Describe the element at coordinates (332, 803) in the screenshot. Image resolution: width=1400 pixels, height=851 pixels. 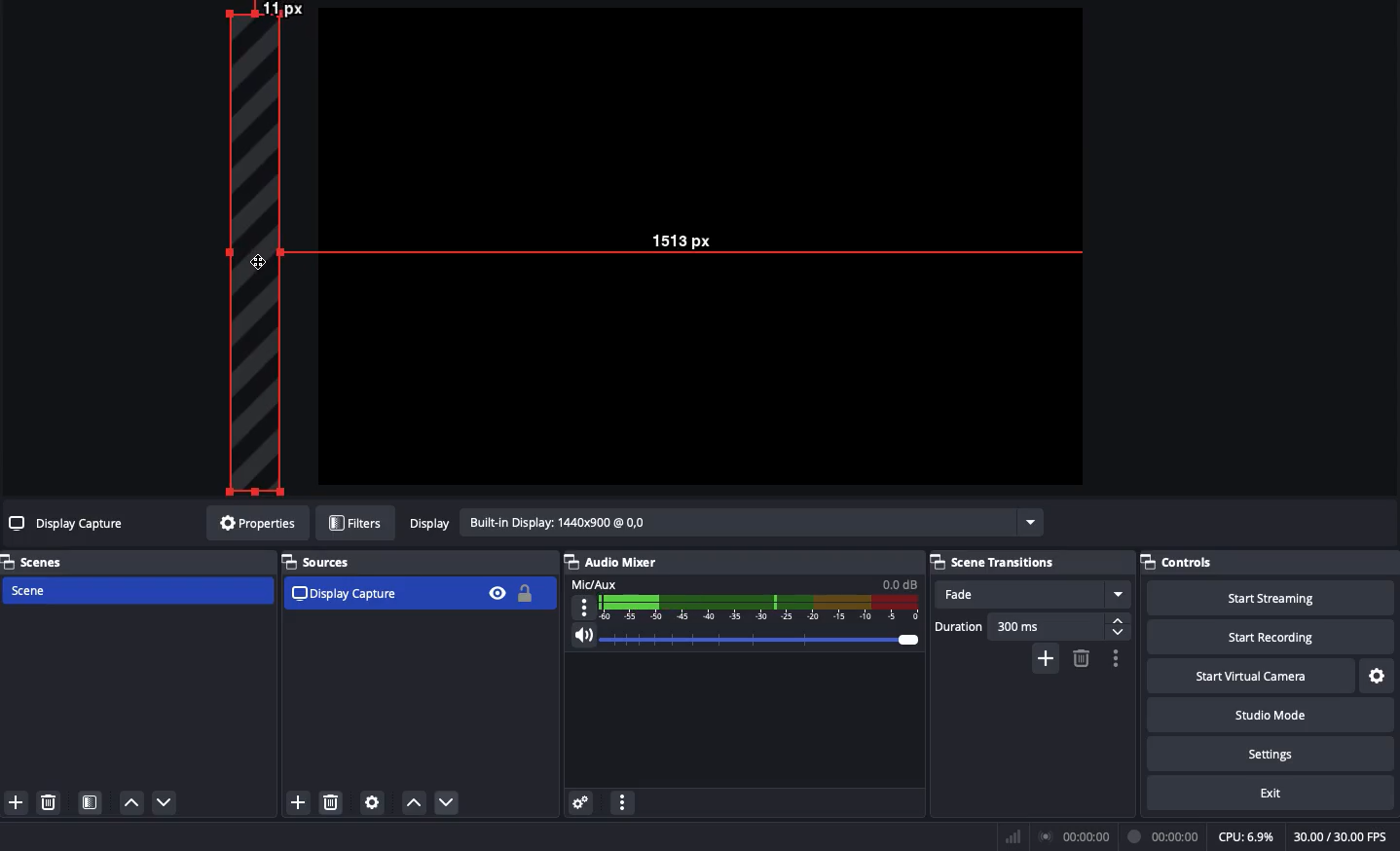
I see `Delete` at that location.